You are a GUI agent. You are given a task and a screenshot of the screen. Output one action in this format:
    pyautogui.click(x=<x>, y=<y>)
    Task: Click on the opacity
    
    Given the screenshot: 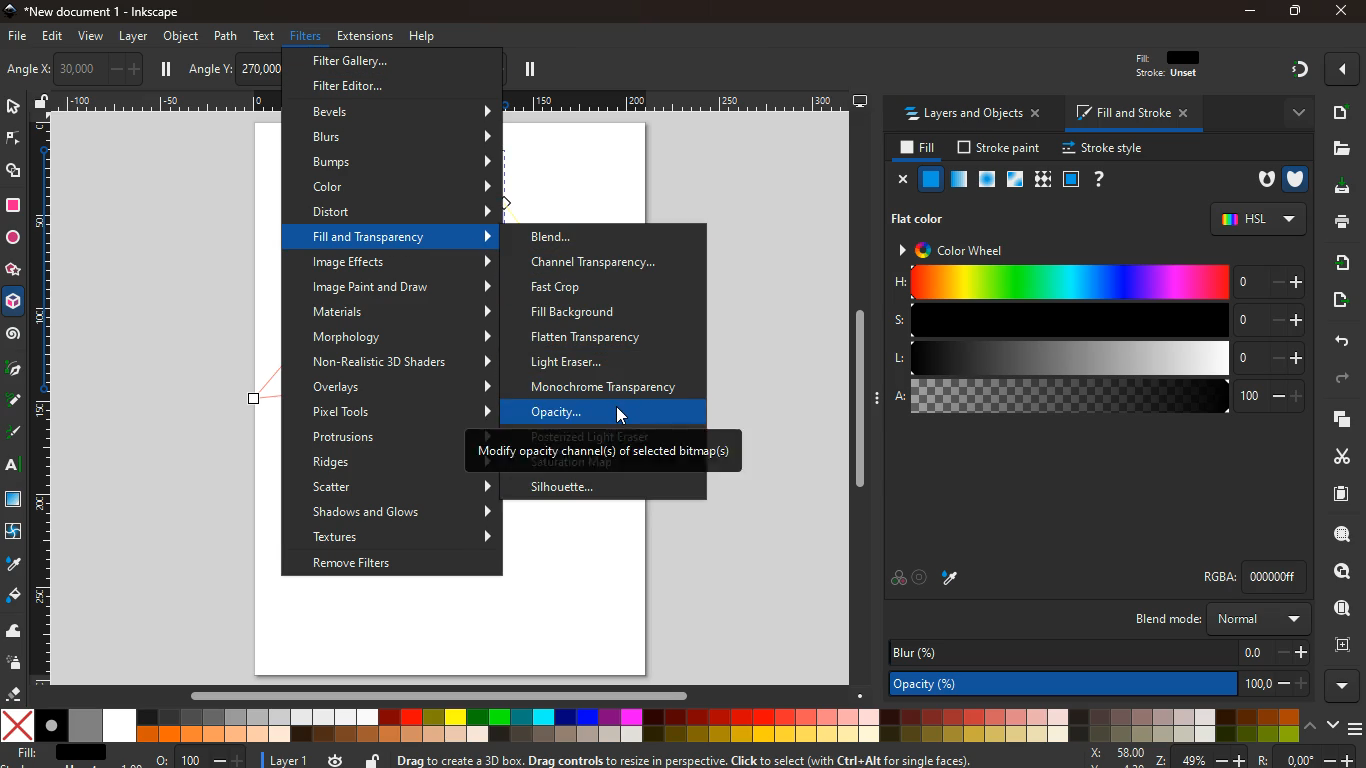 What is the action you would take?
    pyautogui.click(x=599, y=411)
    